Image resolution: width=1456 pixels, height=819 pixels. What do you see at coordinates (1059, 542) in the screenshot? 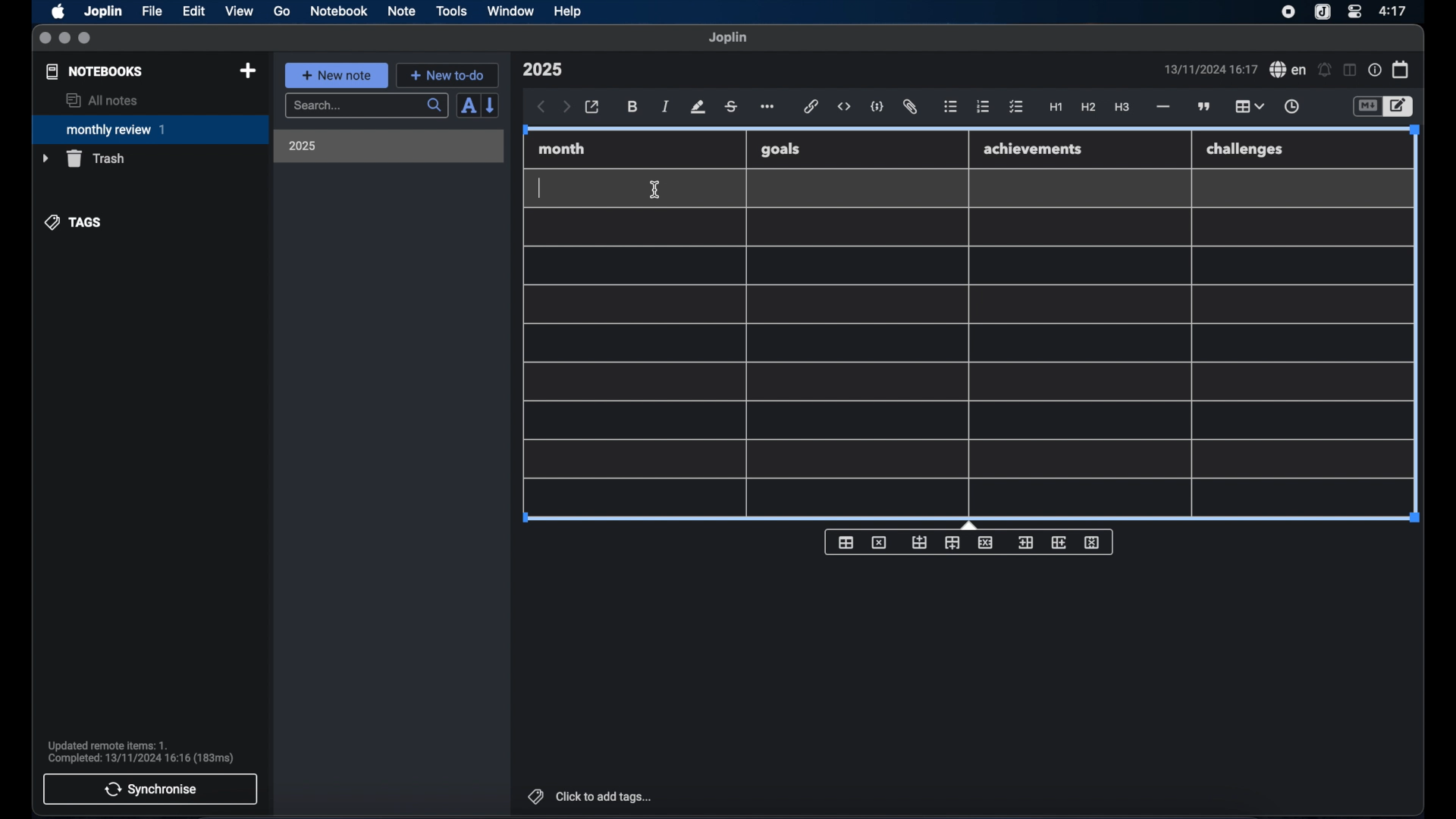
I see `insert column after` at bounding box center [1059, 542].